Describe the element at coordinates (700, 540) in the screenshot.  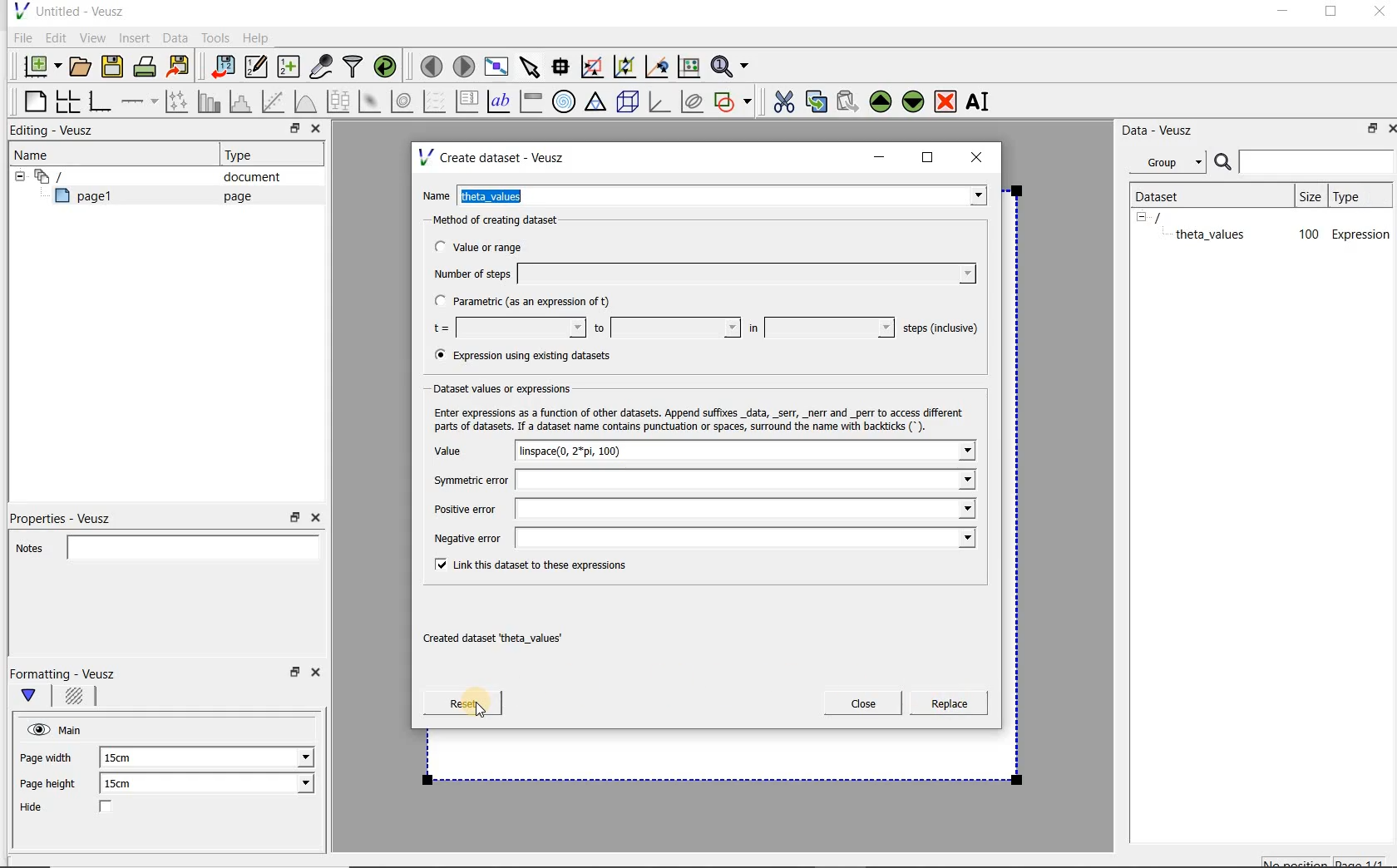
I see `Negative error ` at that location.